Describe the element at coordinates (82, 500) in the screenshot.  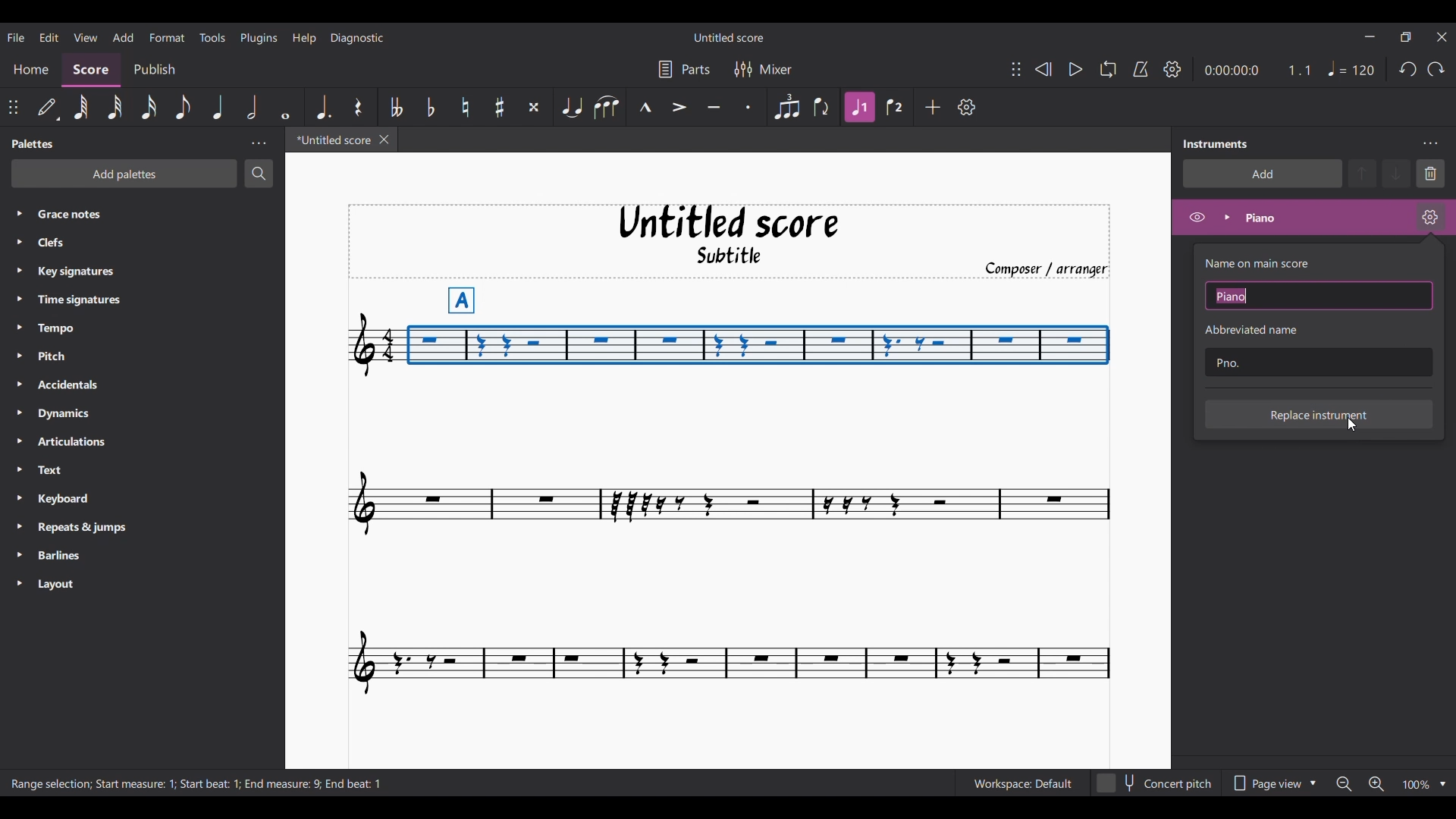
I see `Keyboard` at that location.